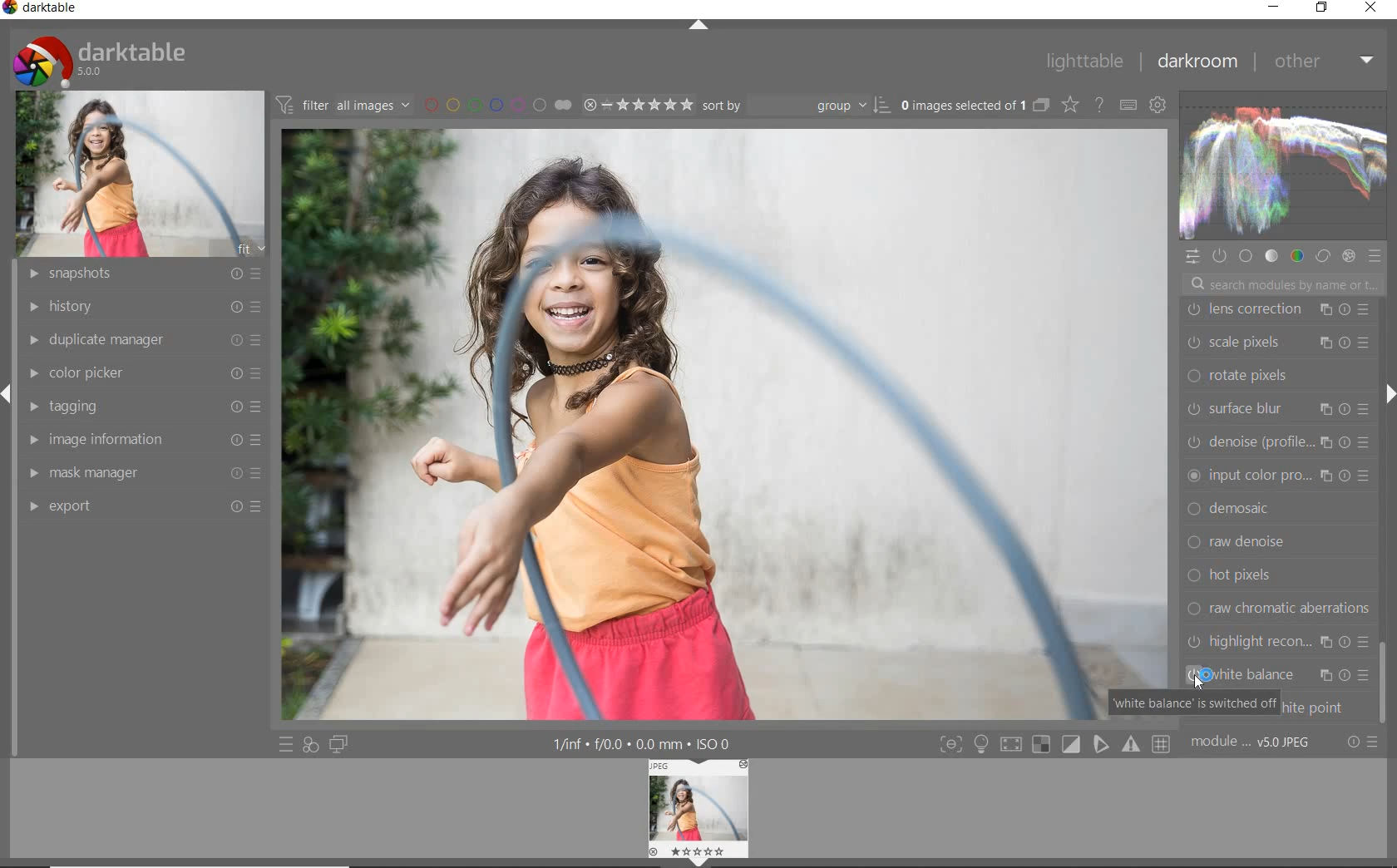 The width and height of the screenshot is (1397, 868). Describe the element at coordinates (1276, 479) in the screenshot. I see `vignetting` at that location.